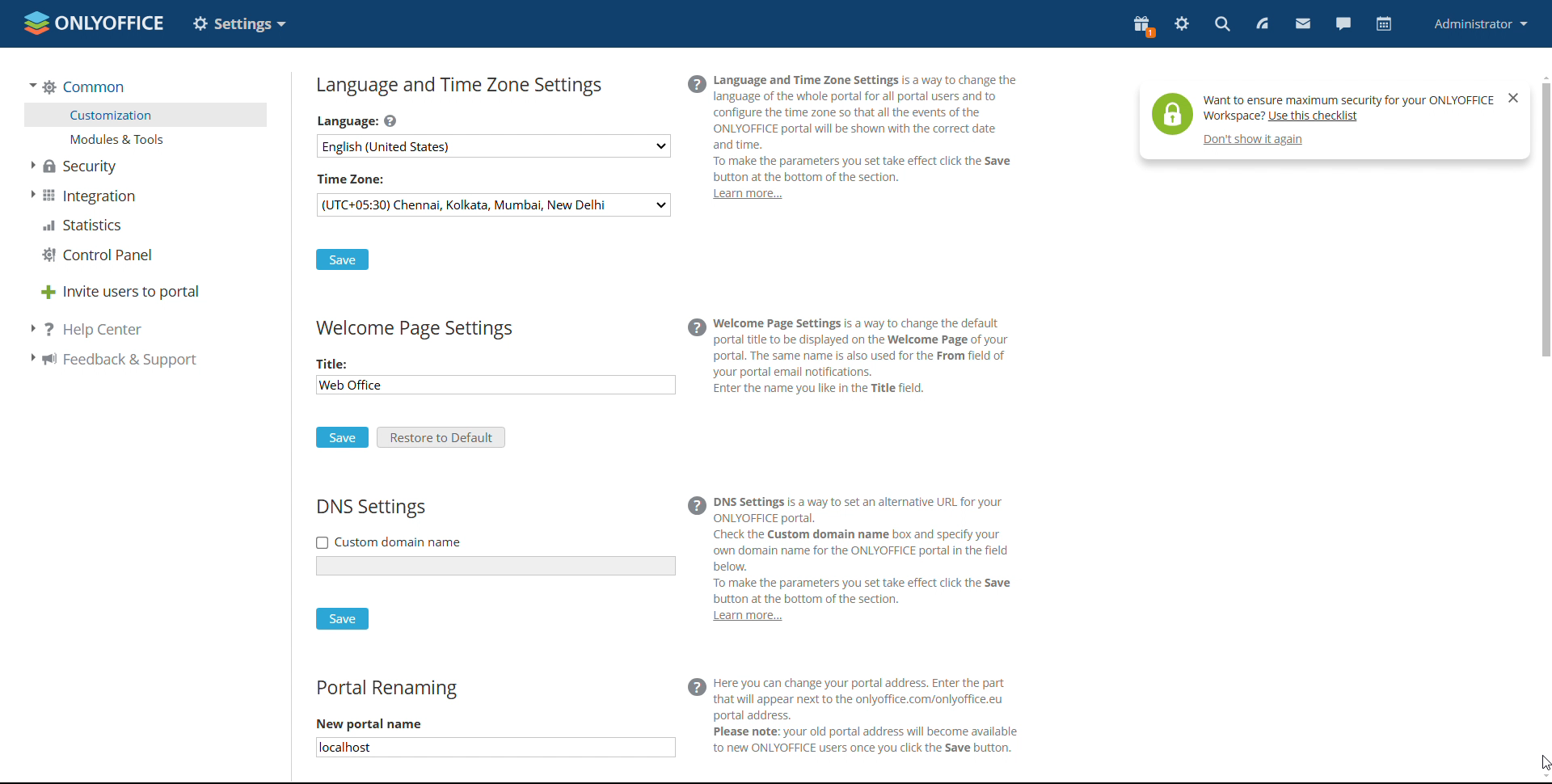  Describe the element at coordinates (412, 331) in the screenshot. I see `welcomepage settings` at that location.